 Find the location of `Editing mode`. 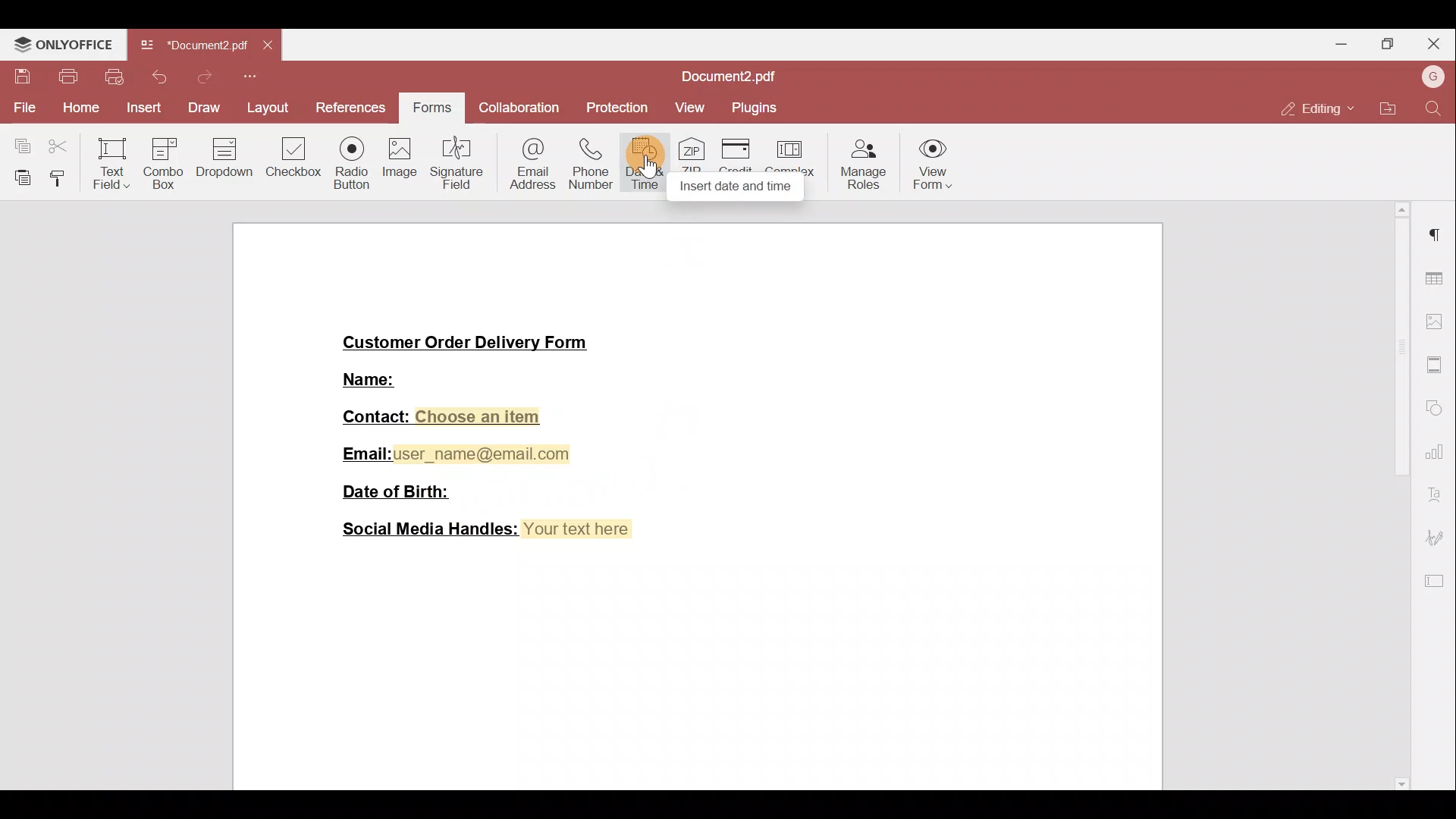

Editing mode is located at coordinates (1313, 108).